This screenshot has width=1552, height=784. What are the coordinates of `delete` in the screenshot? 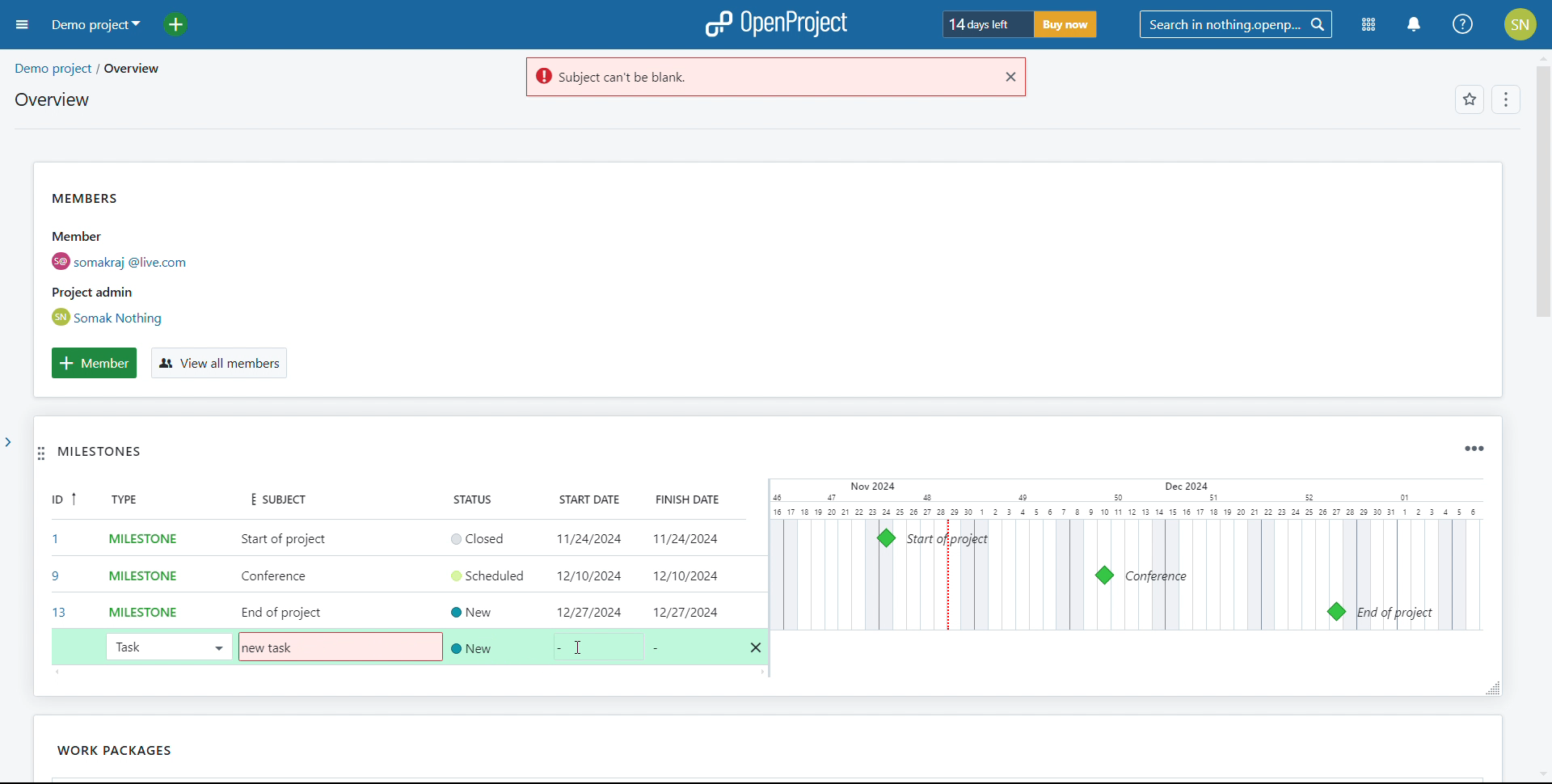 It's located at (757, 648).